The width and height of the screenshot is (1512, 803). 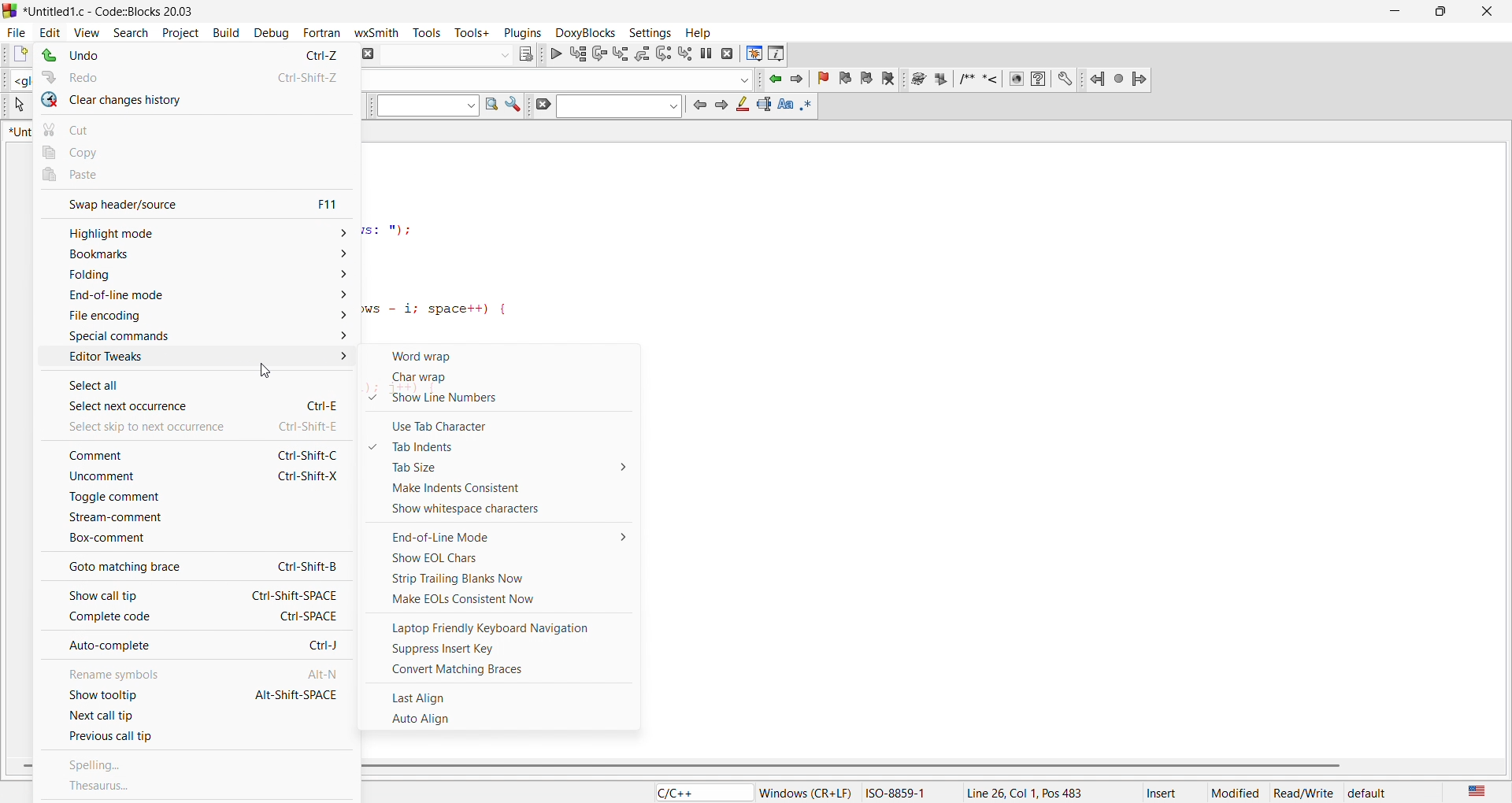 I want to click on maximize/resize, so click(x=1446, y=9).